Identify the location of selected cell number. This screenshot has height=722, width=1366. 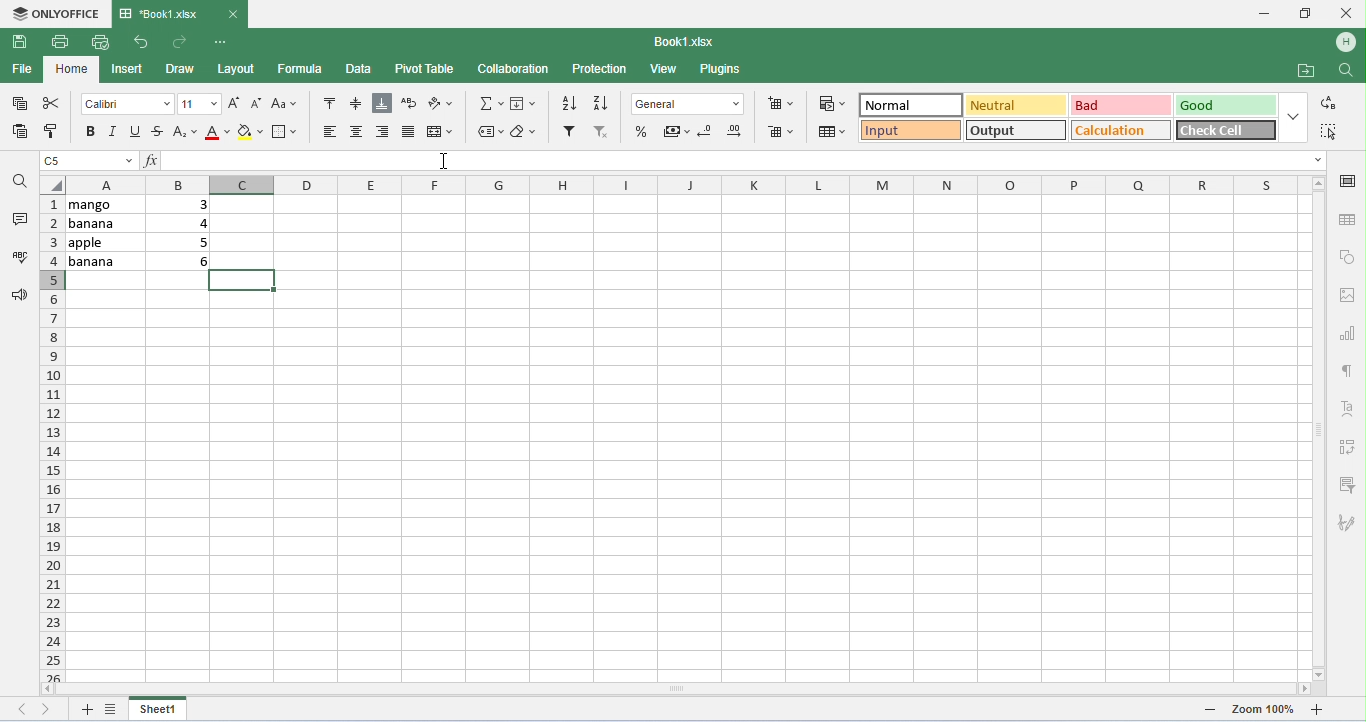
(90, 160).